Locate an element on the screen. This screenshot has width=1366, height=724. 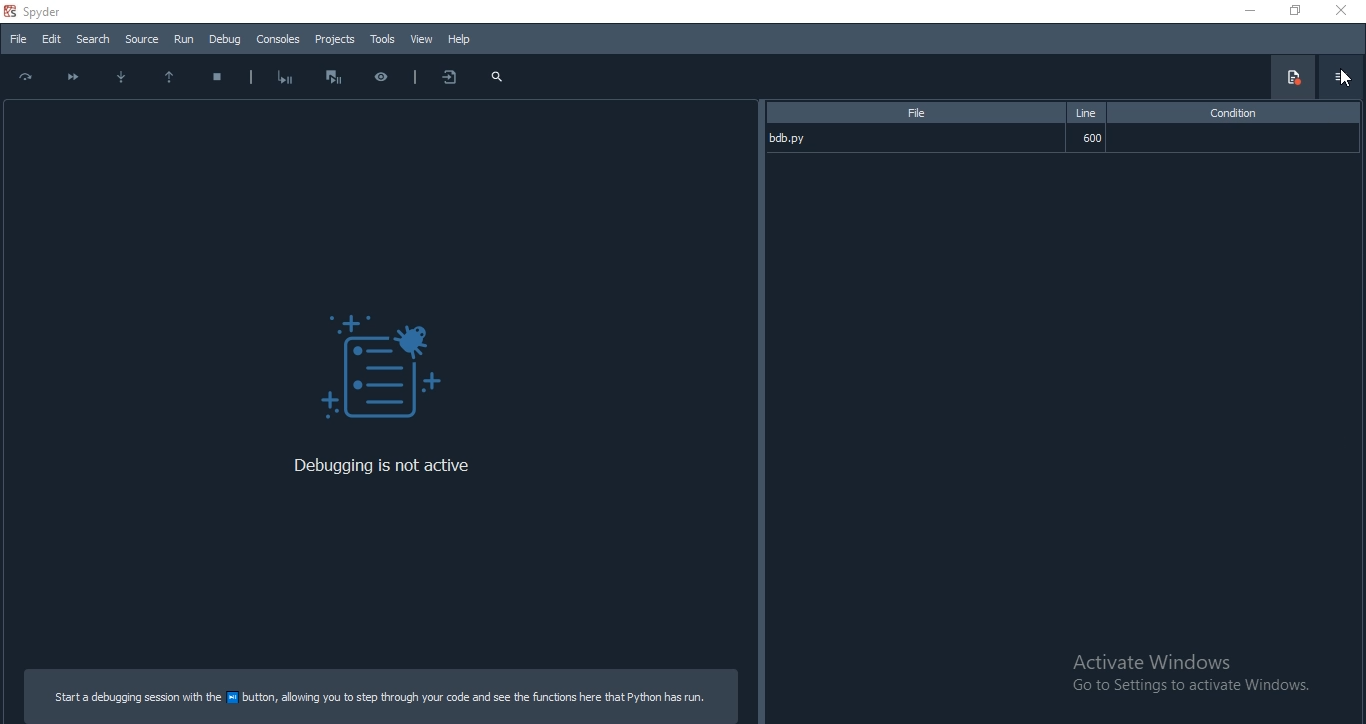
search is located at coordinates (498, 77).